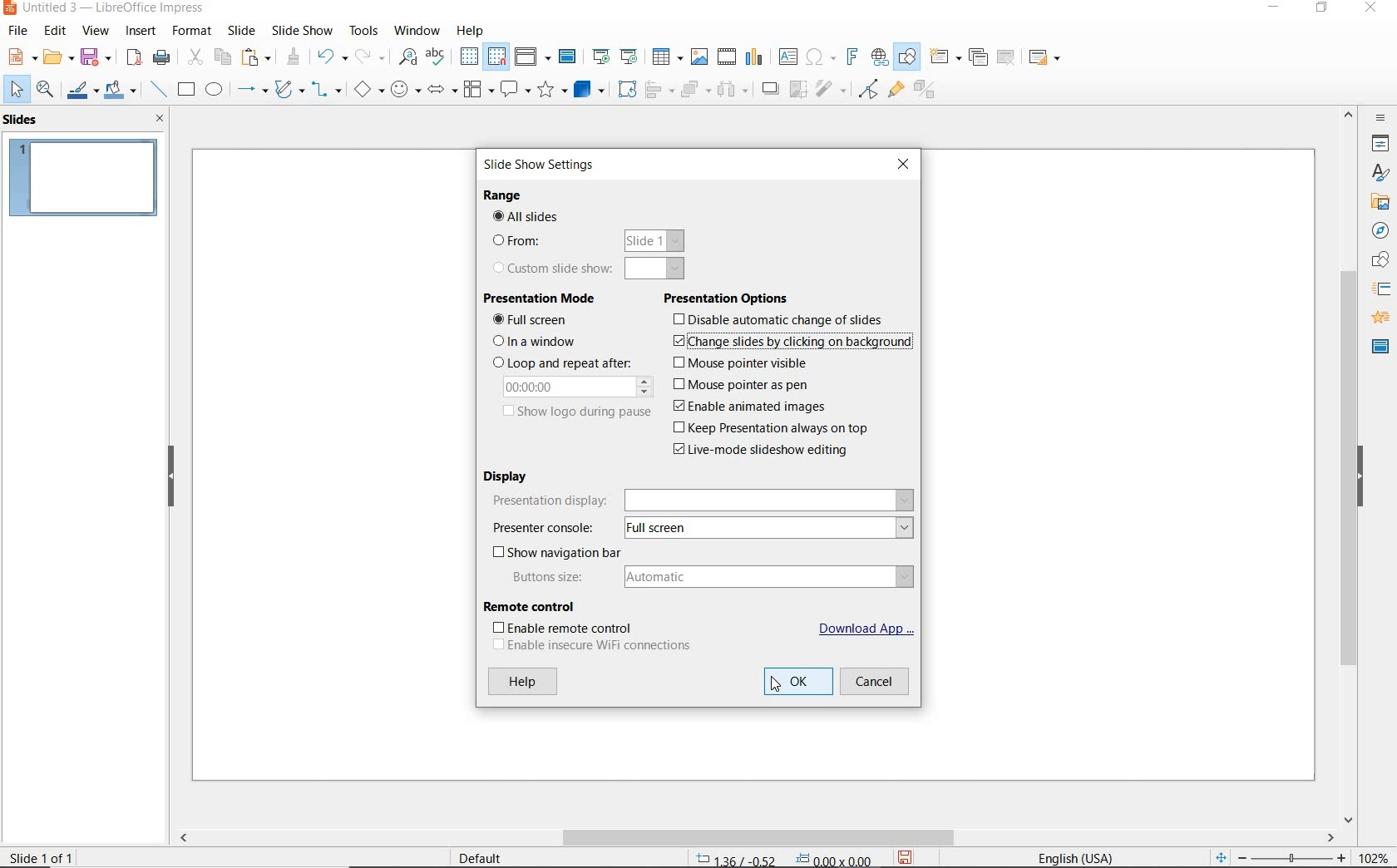 Image resolution: width=1397 pixels, height=868 pixels. I want to click on SROLLBAR, so click(1349, 468).